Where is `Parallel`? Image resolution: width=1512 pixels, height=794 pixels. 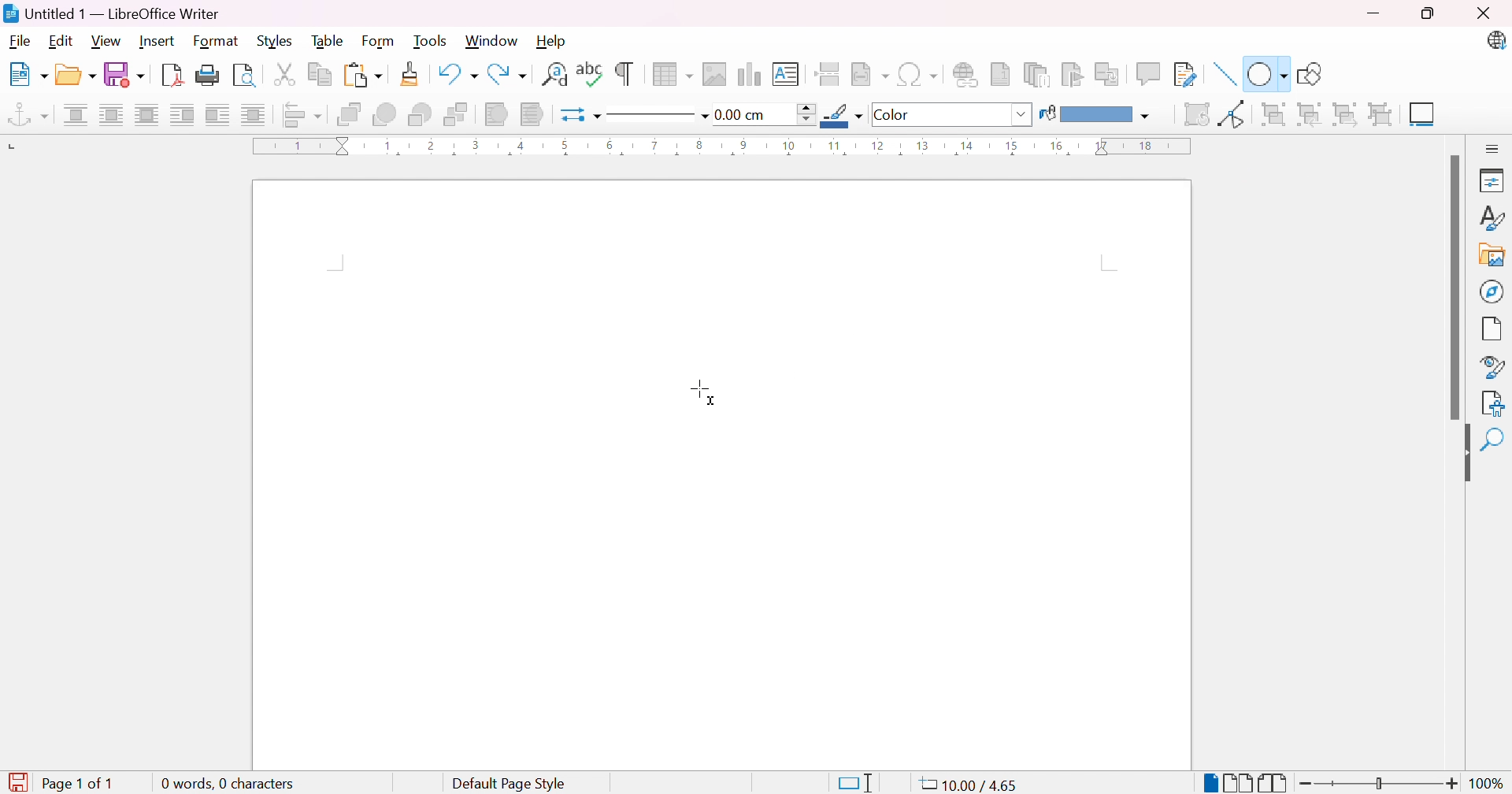
Parallel is located at coordinates (111, 115).